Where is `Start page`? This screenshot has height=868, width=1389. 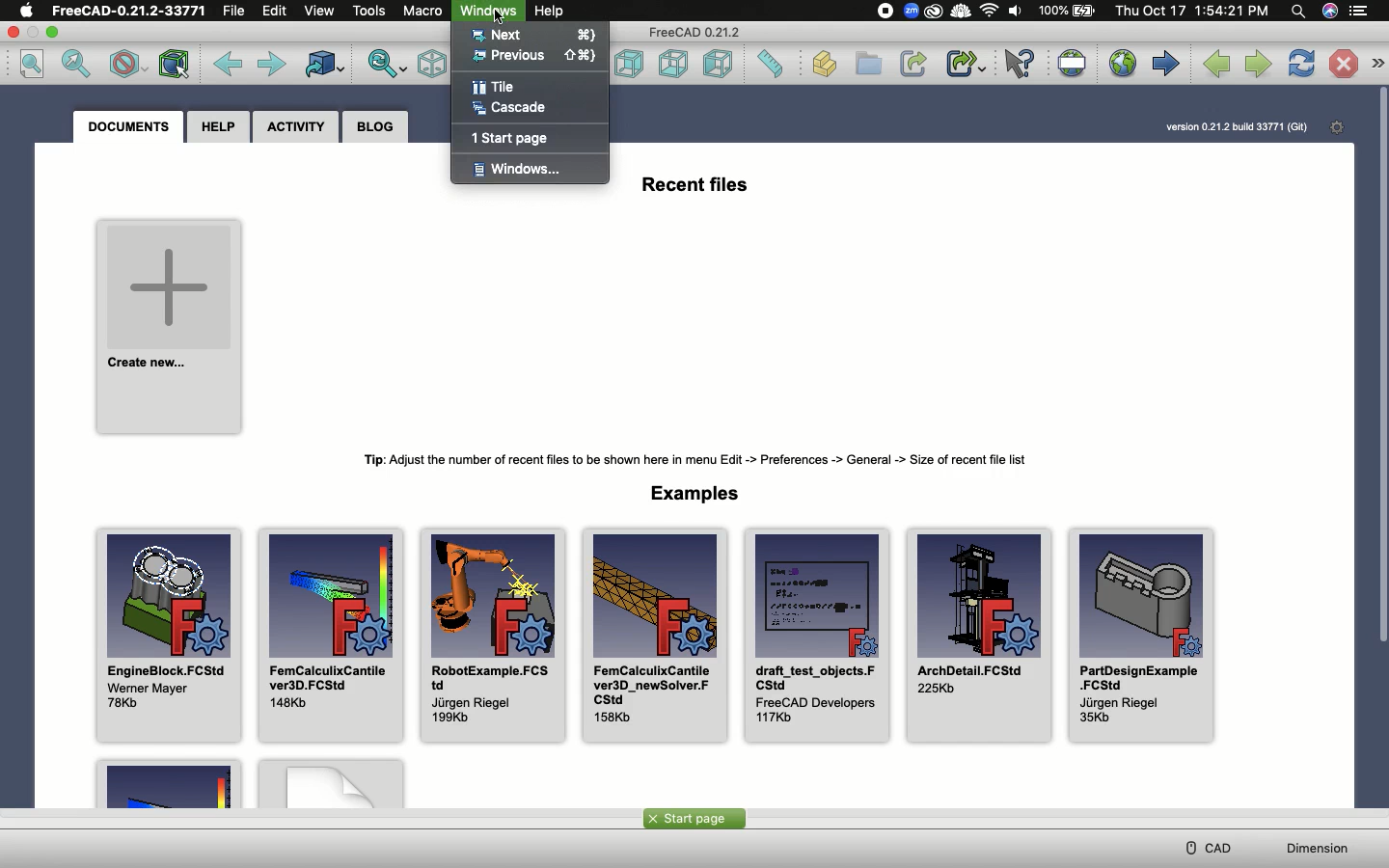
Start page is located at coordinates (693, 818).